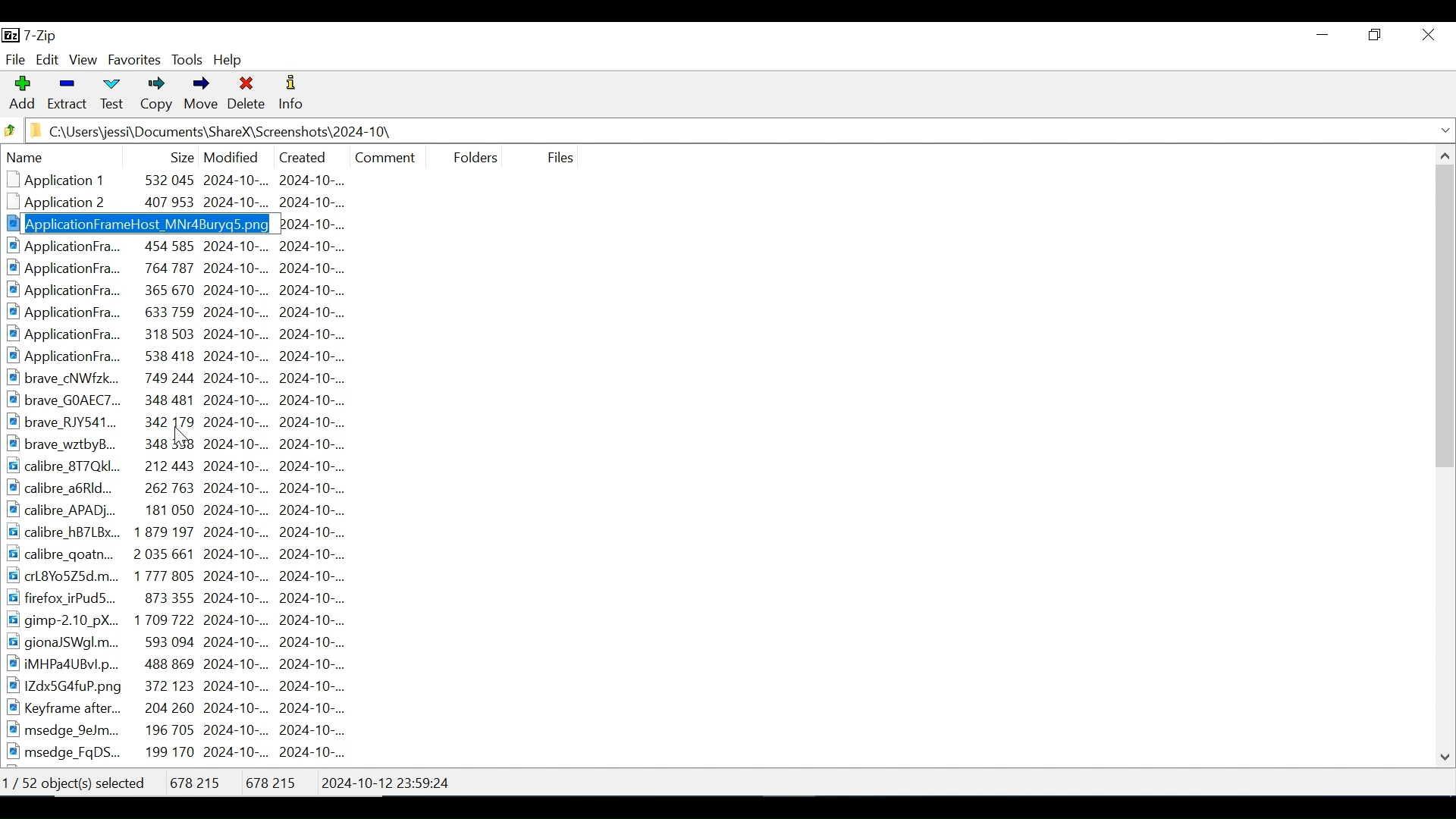 This screenshot has height=819, width=1456. What do you see at coordinates (133, 60) in the screenshot?
I see `Favorites` at bounding box center [133, 60].